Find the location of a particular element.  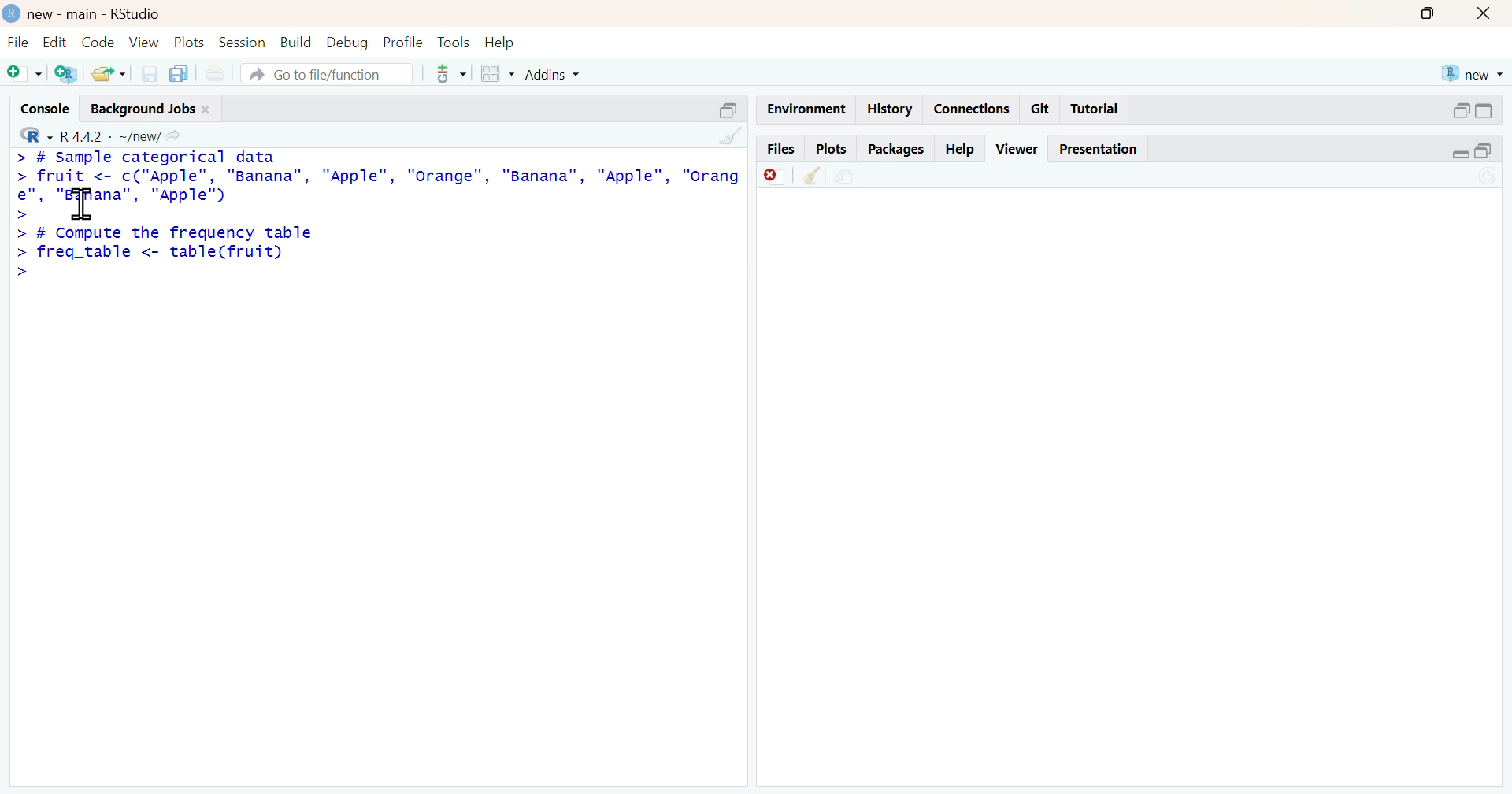

cursor is located at coordinates (83, 206).